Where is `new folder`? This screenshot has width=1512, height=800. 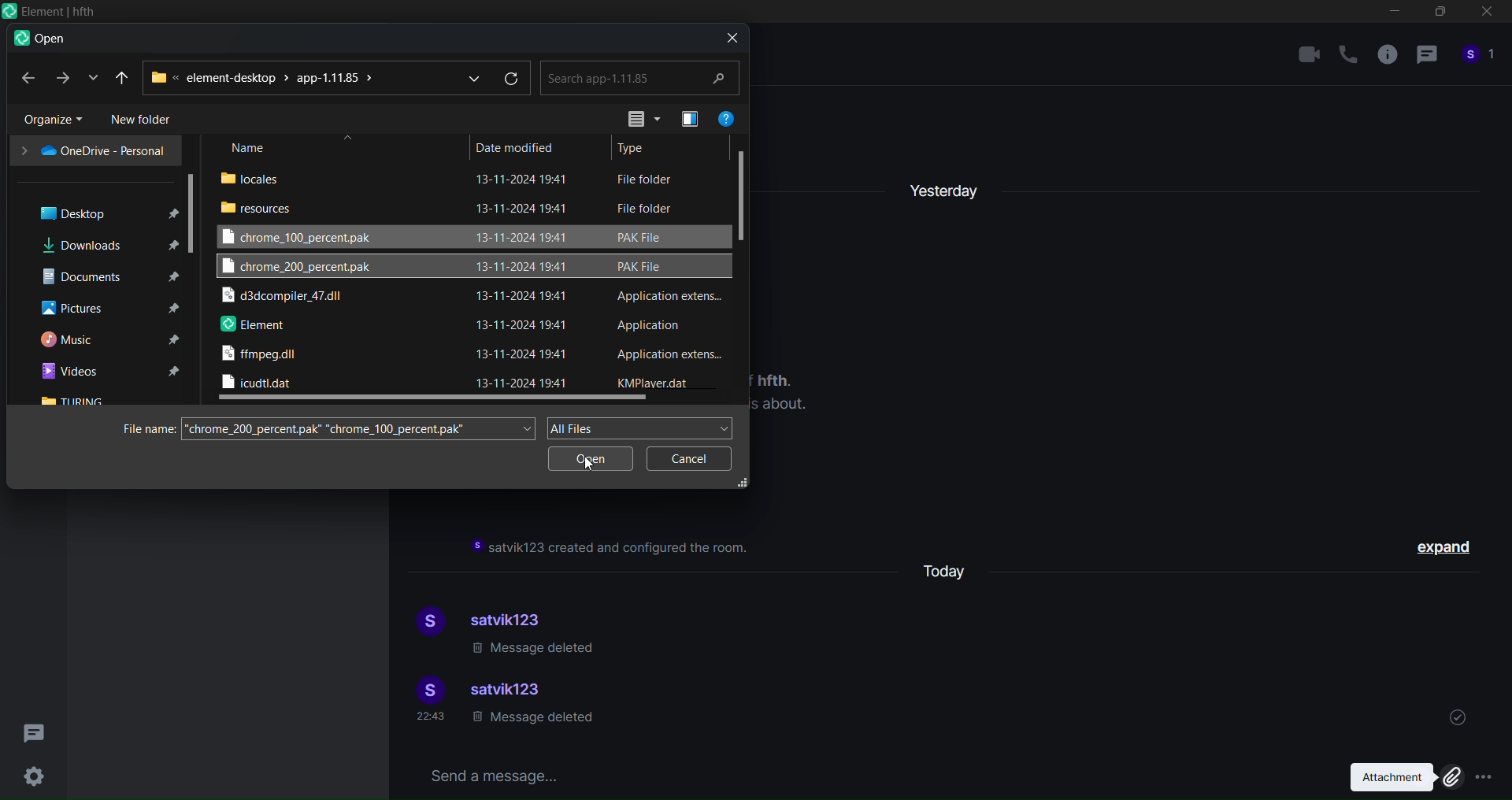 new folder is located at coordinates (146, 120).